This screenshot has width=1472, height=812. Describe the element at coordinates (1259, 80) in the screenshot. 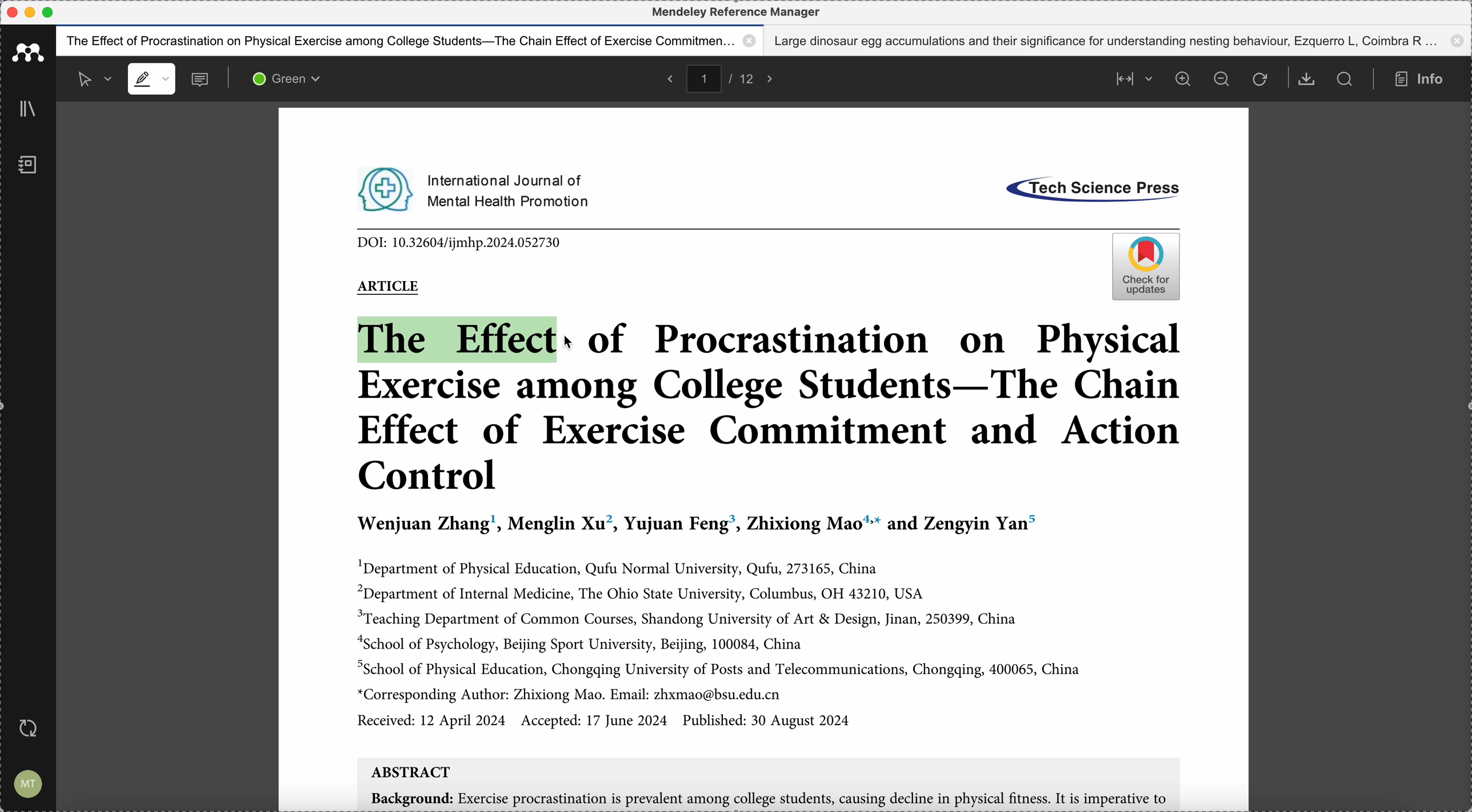

I see `refresh the page` at that location.